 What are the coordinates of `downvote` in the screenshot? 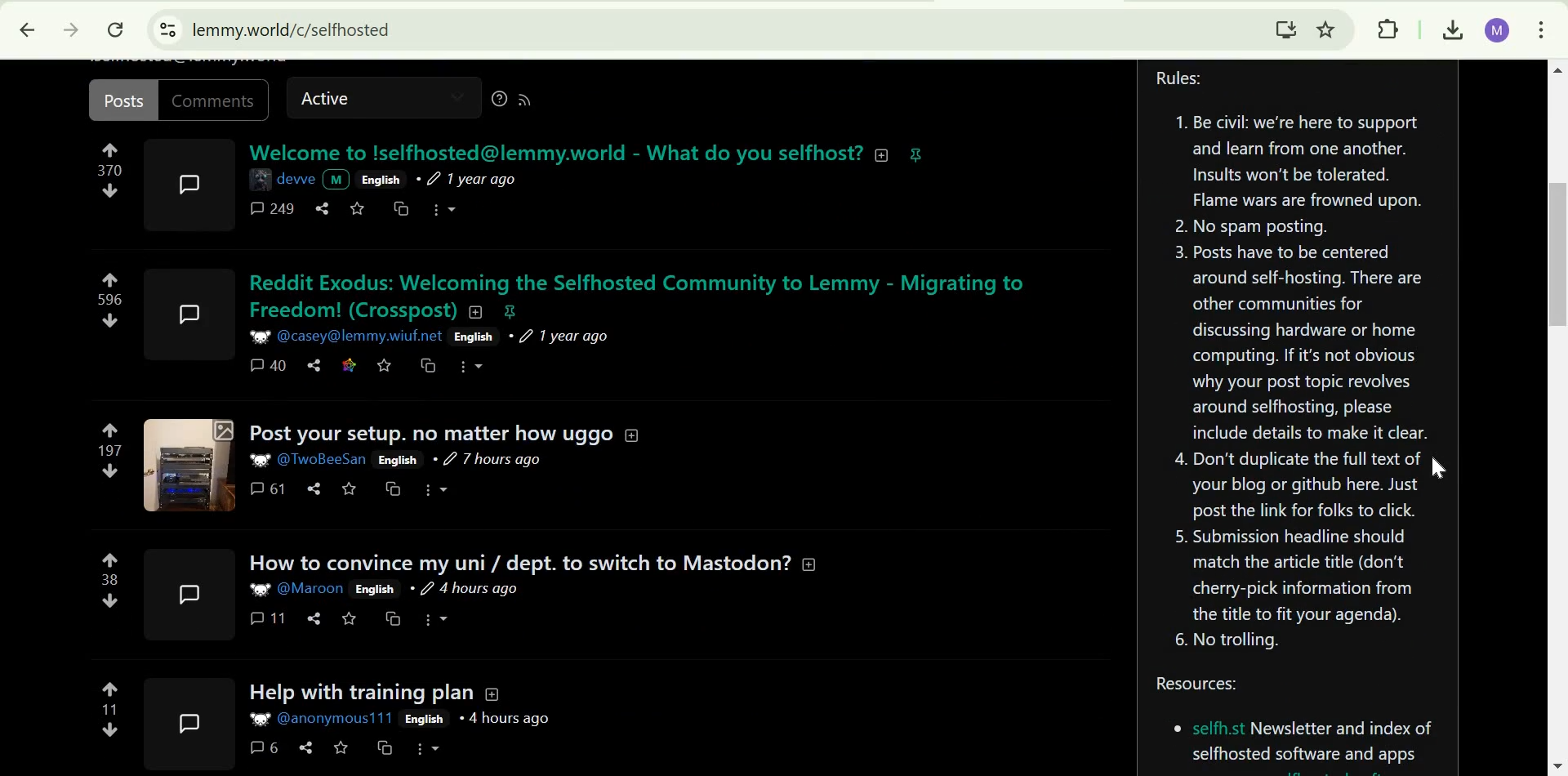 It's located at (109, 191).